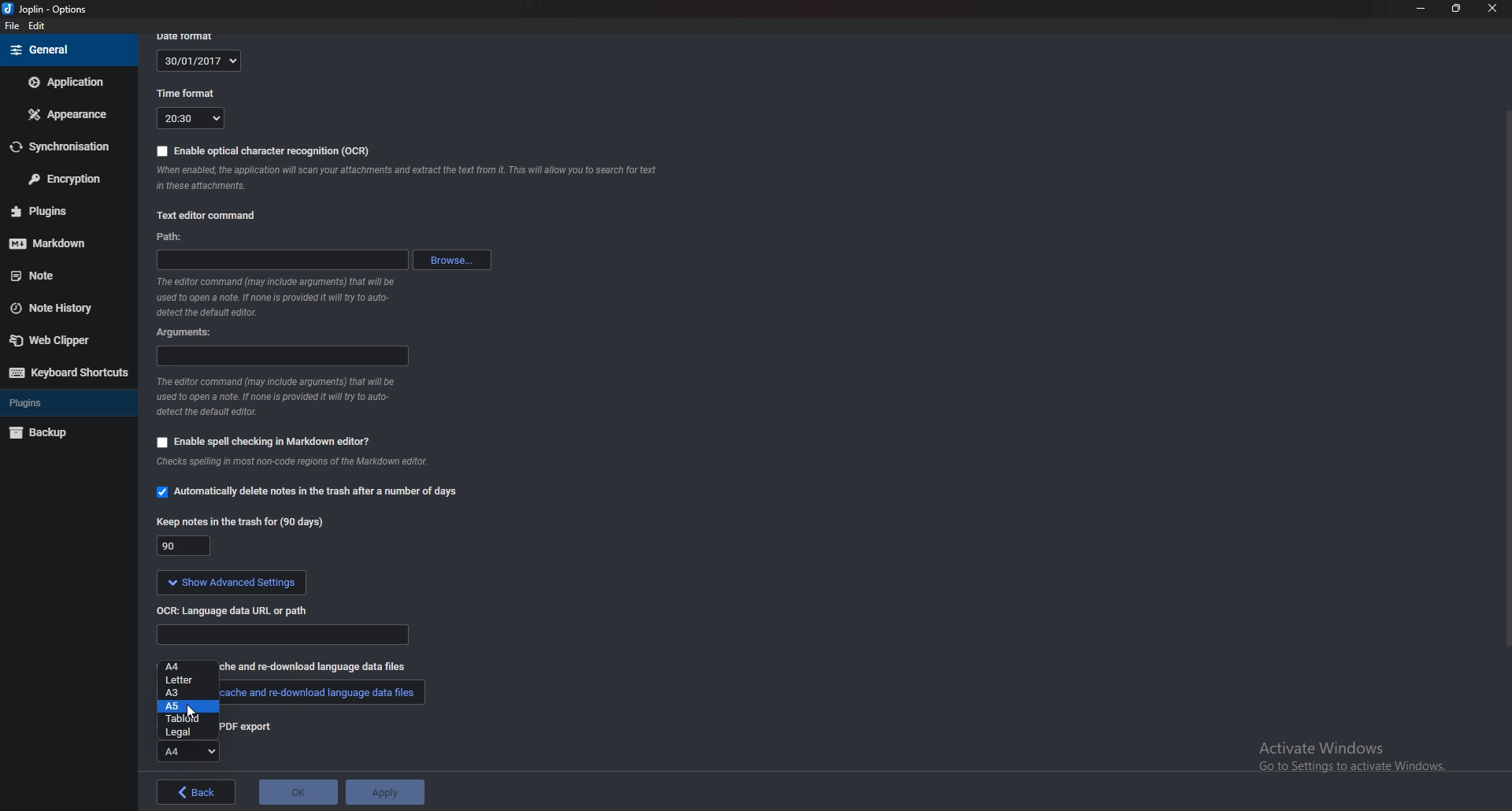  Describe the element at coordinates (1506, 379) in the screenshot. I see `Scroll bar` at that location.